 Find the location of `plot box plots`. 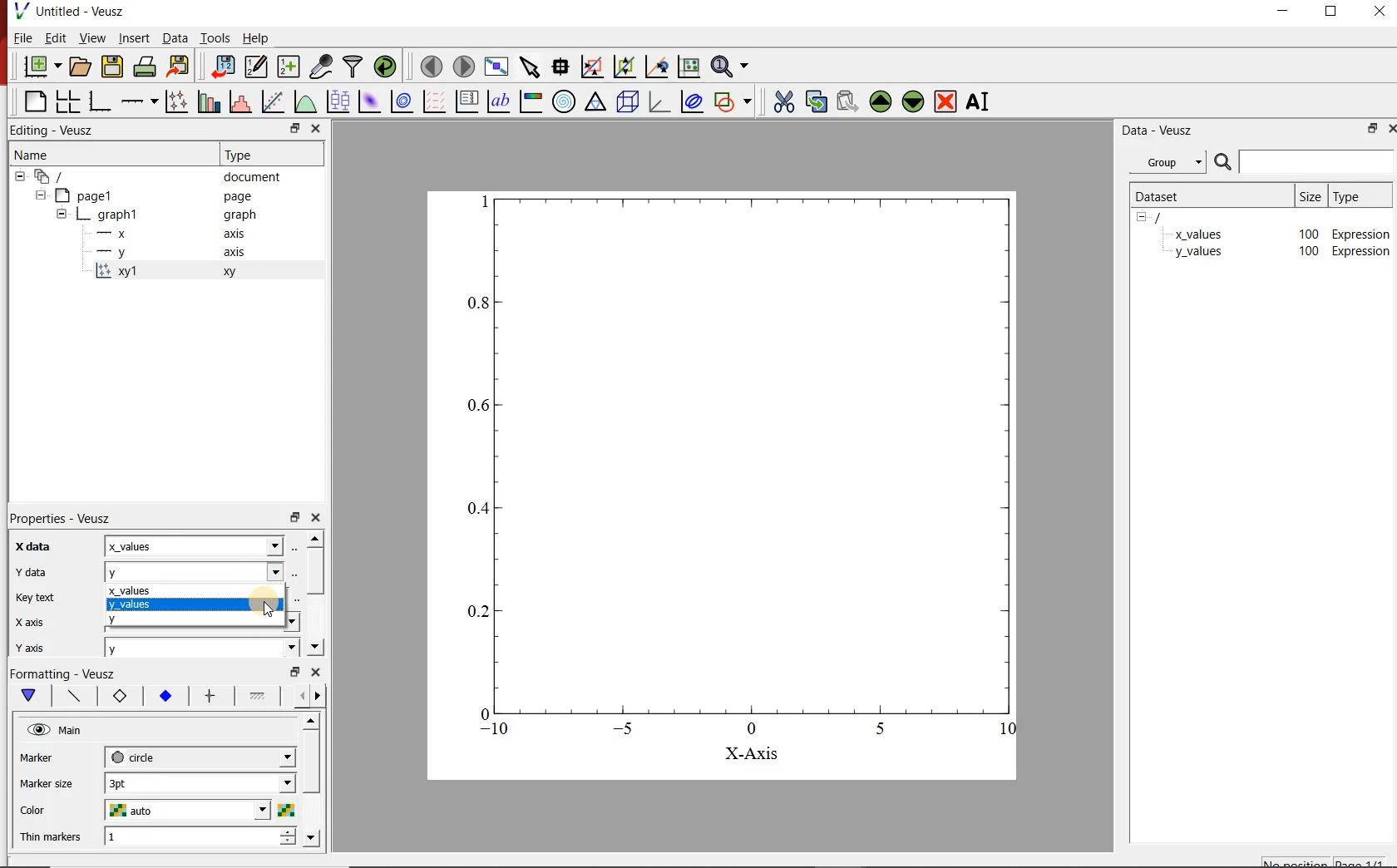

plot box plots is located at coordinates (336, 101).